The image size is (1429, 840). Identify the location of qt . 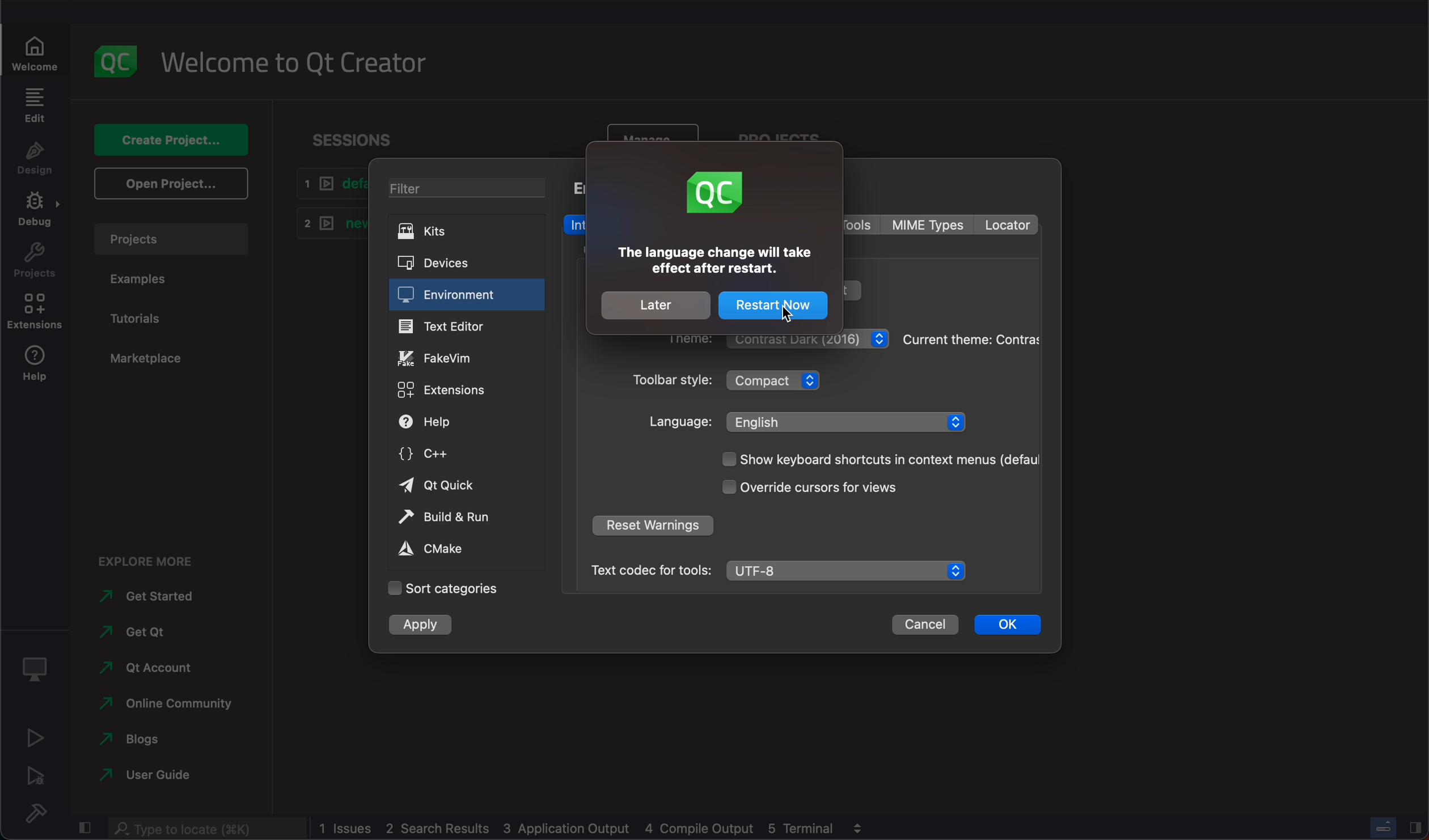
(466, 486).